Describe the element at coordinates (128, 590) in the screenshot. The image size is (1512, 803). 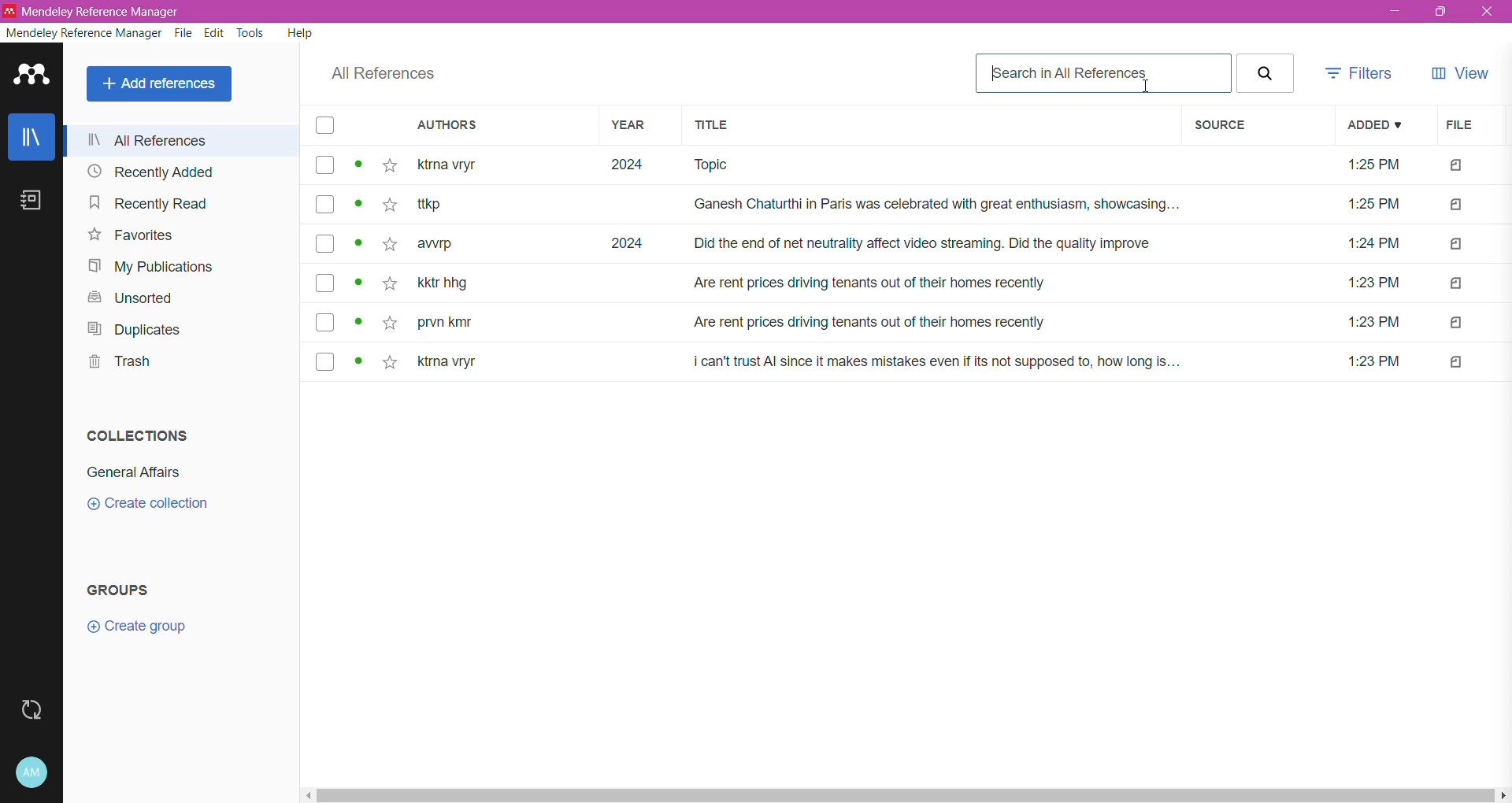
I see `Groups` at that location.